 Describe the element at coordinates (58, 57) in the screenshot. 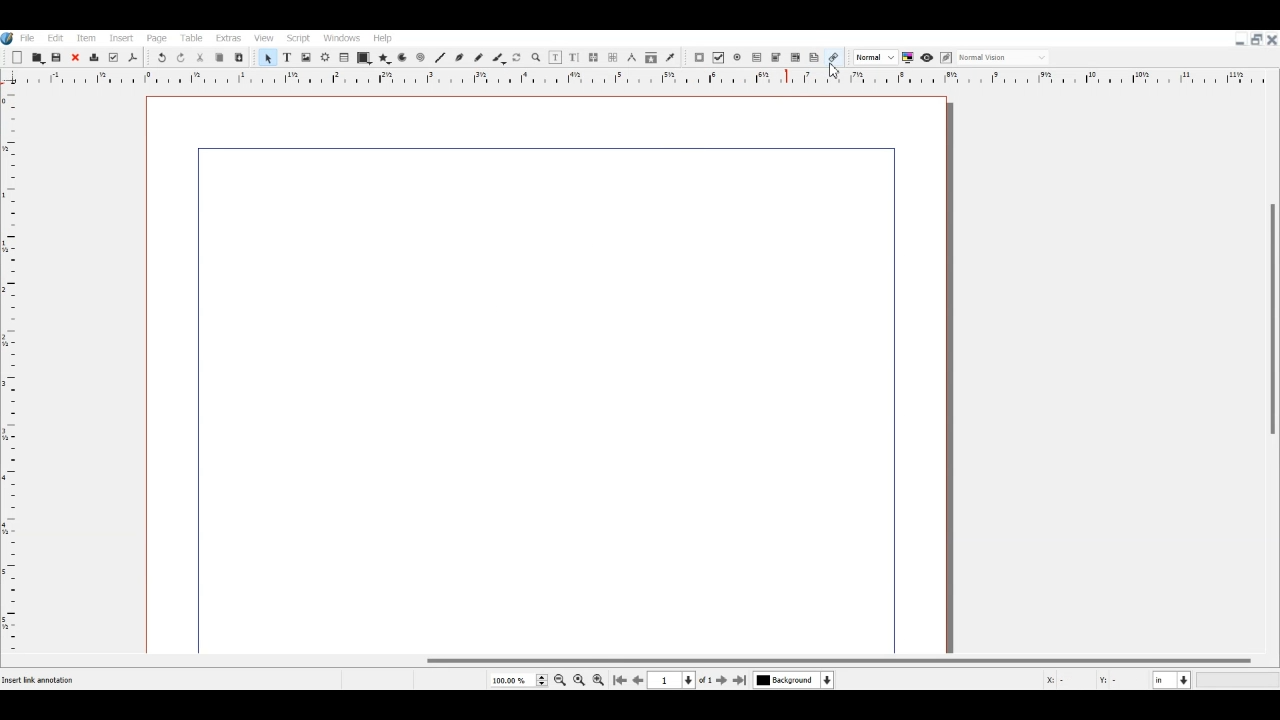

I see `Save` at that location.